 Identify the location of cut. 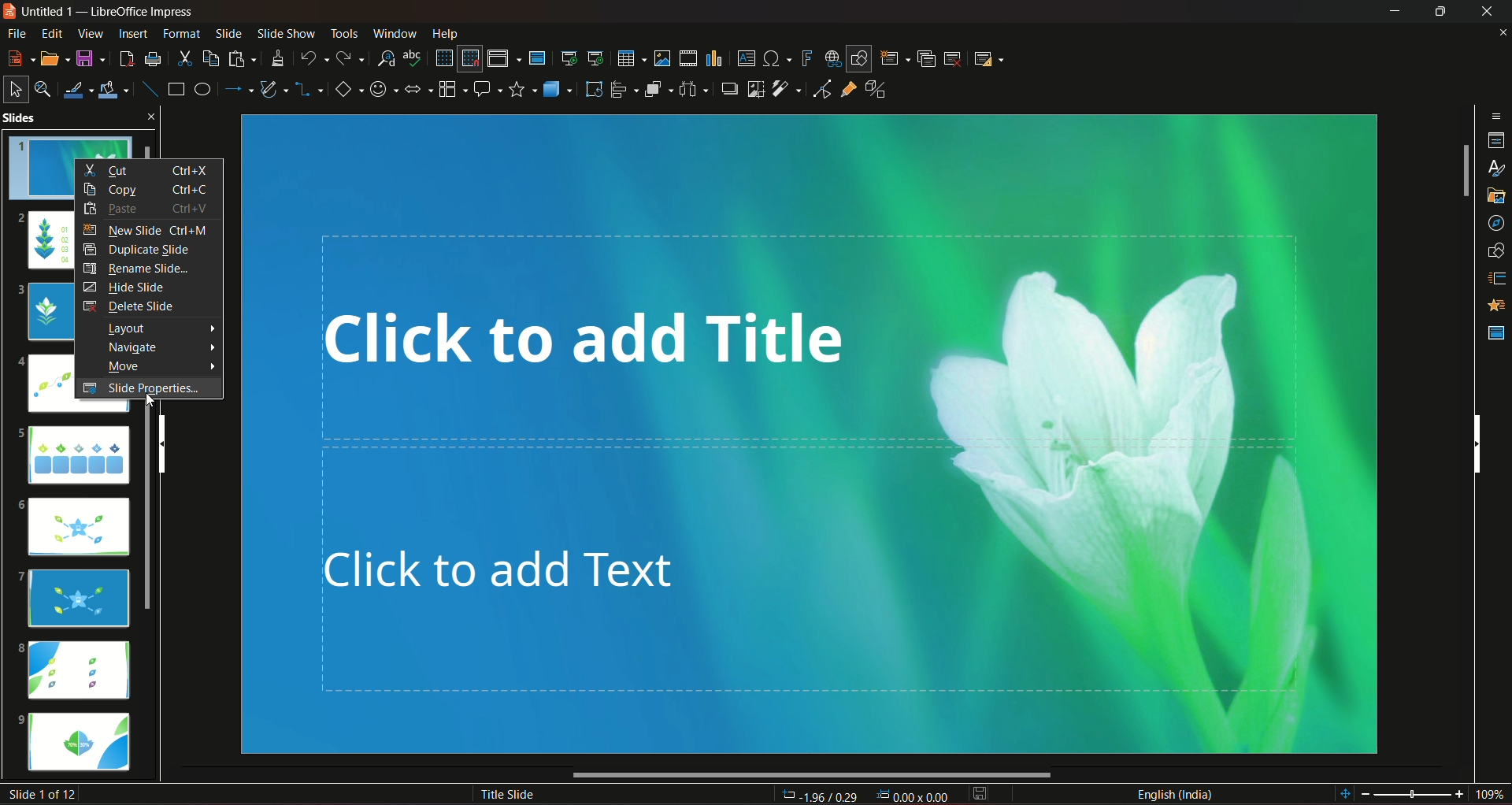
(109, 171).